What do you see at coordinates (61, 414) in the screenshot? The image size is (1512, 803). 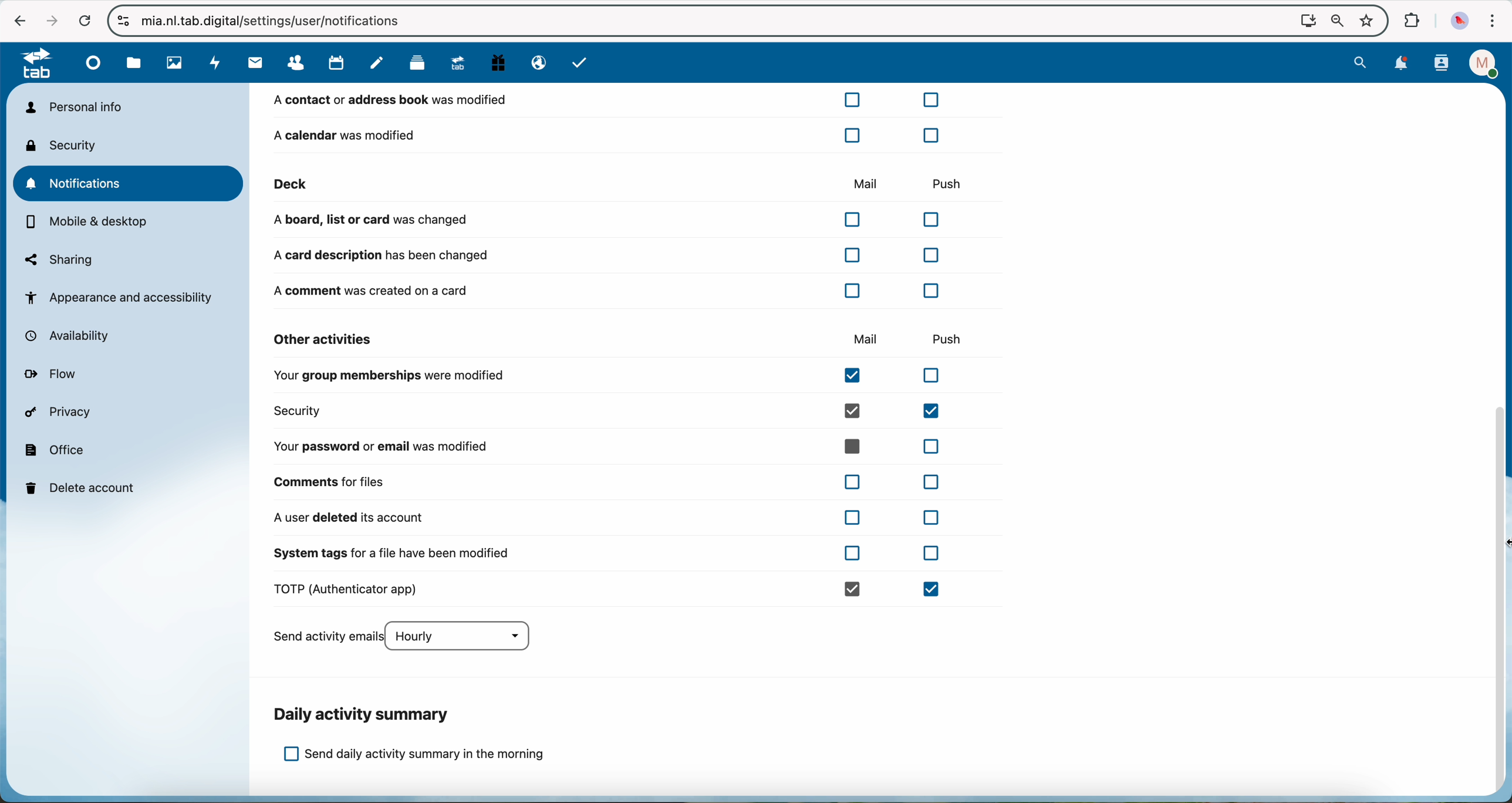 I see `privacy` at bounding box center [61, 414].